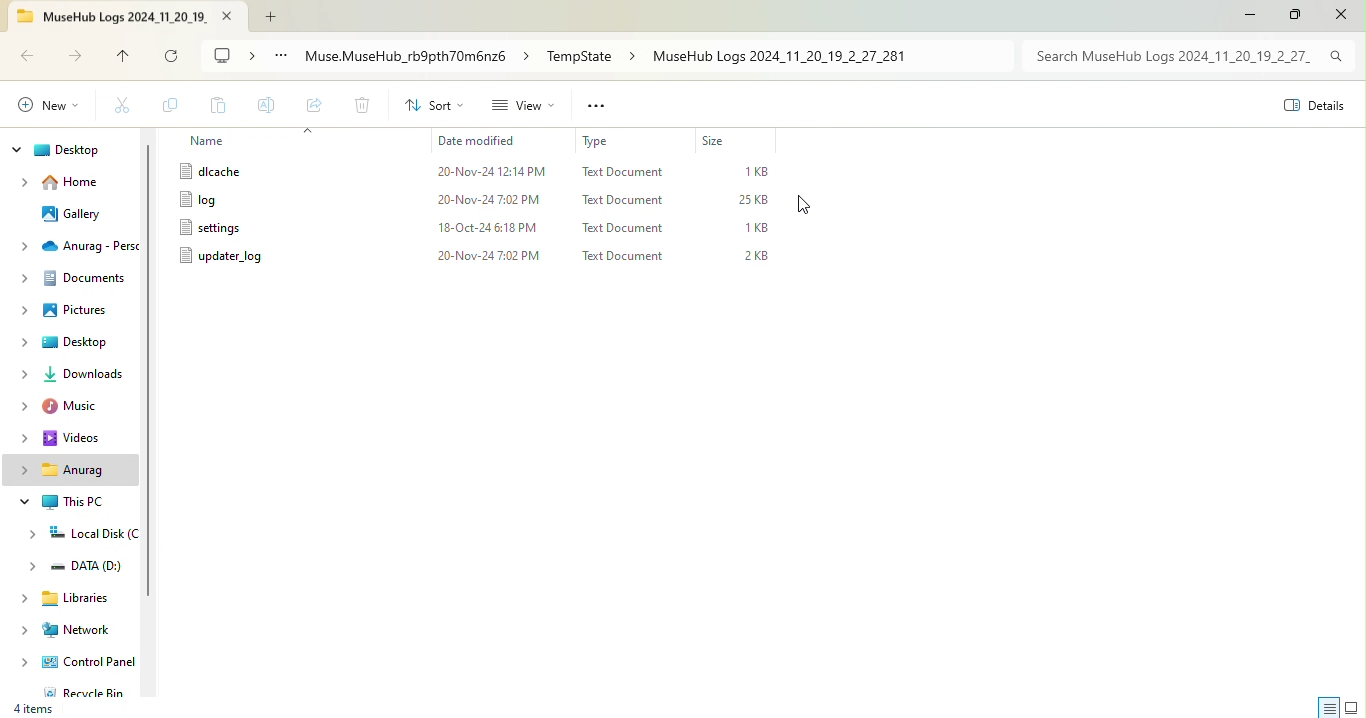  I want to click on Size, so click(722, 141).